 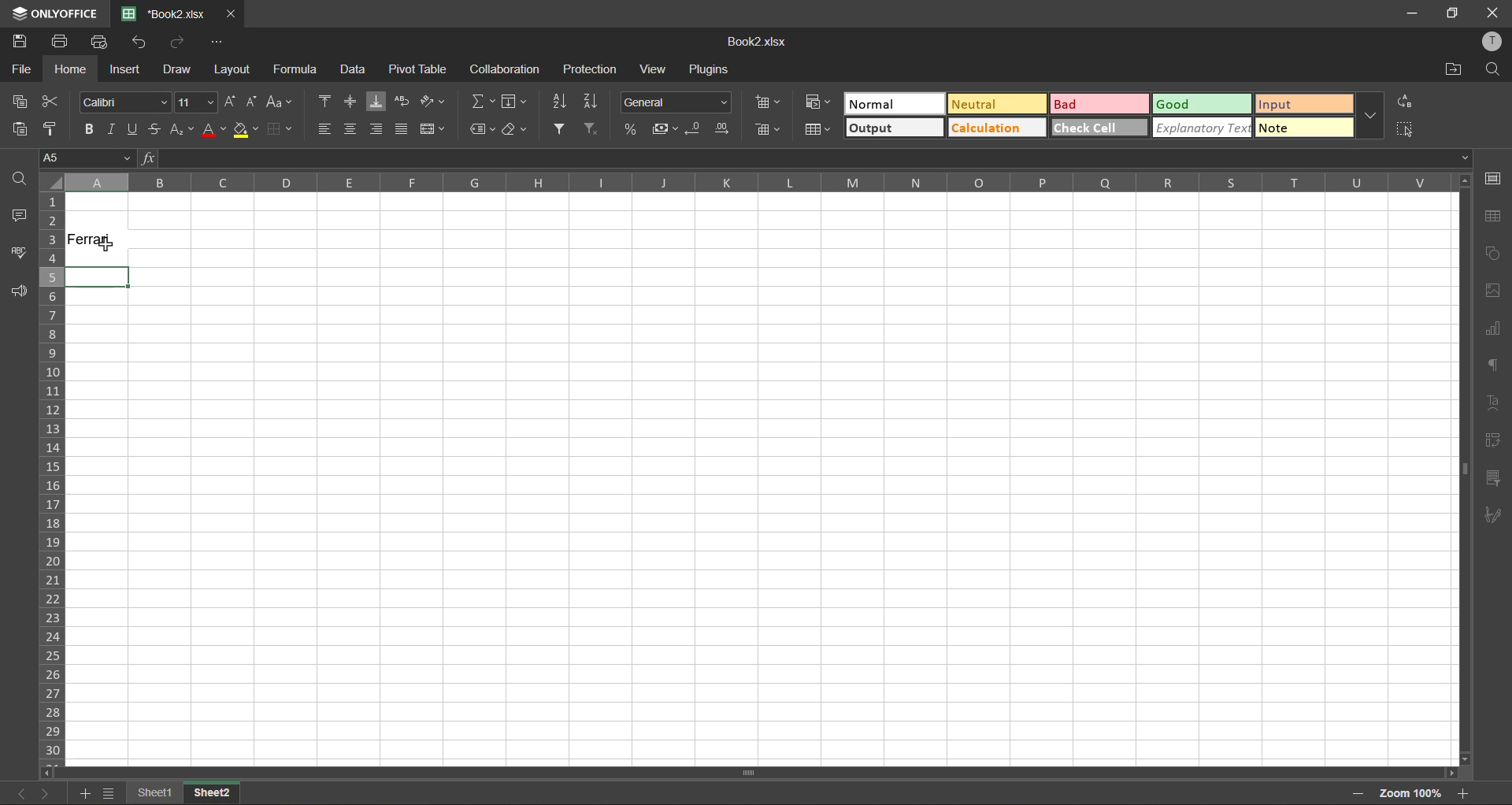 What do you see at coordinates (894, 102) in the screenshot?
I see `normal` at bounding box center [894, 102].